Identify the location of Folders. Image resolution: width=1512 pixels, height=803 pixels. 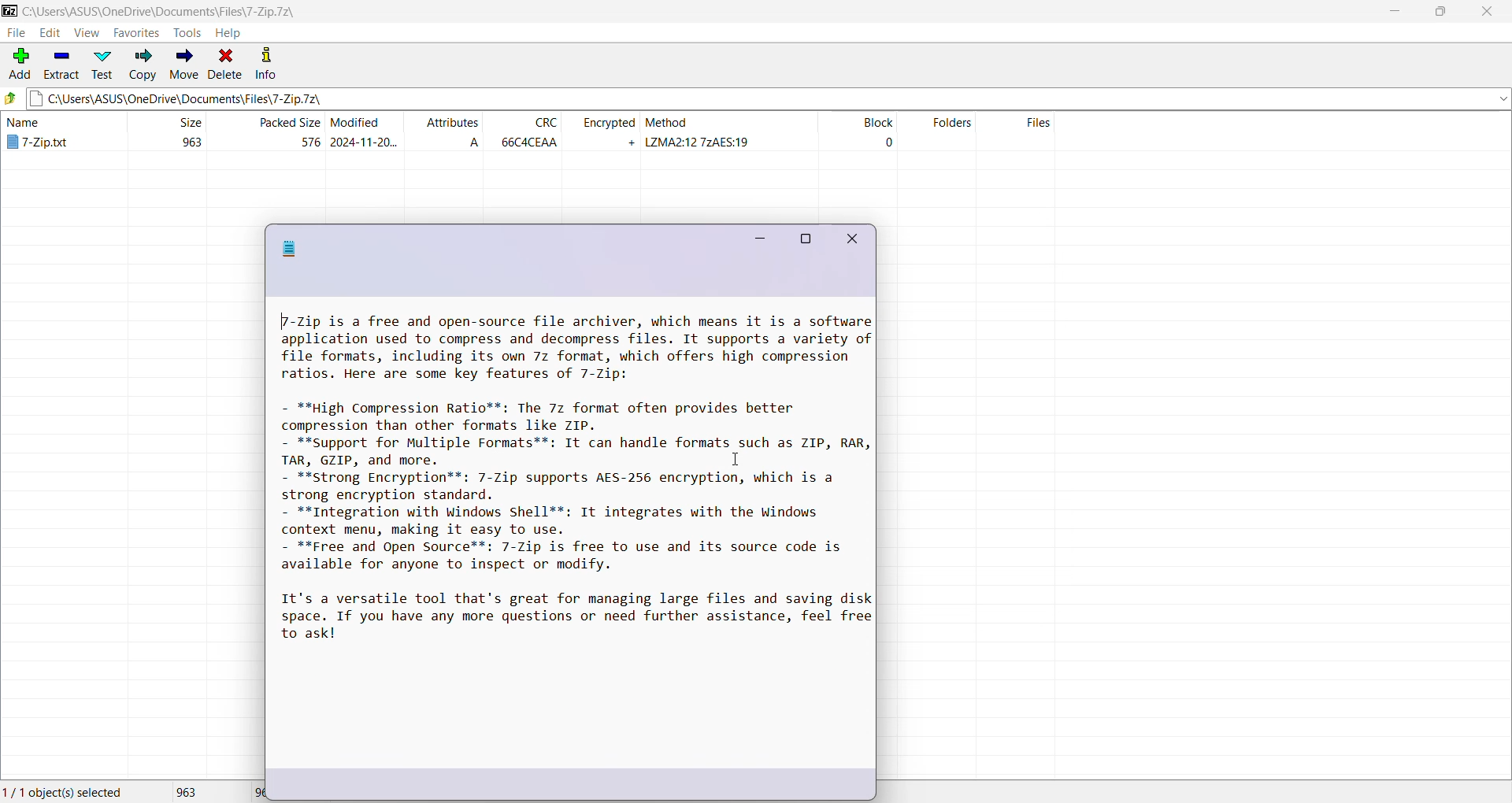
(945, 133).